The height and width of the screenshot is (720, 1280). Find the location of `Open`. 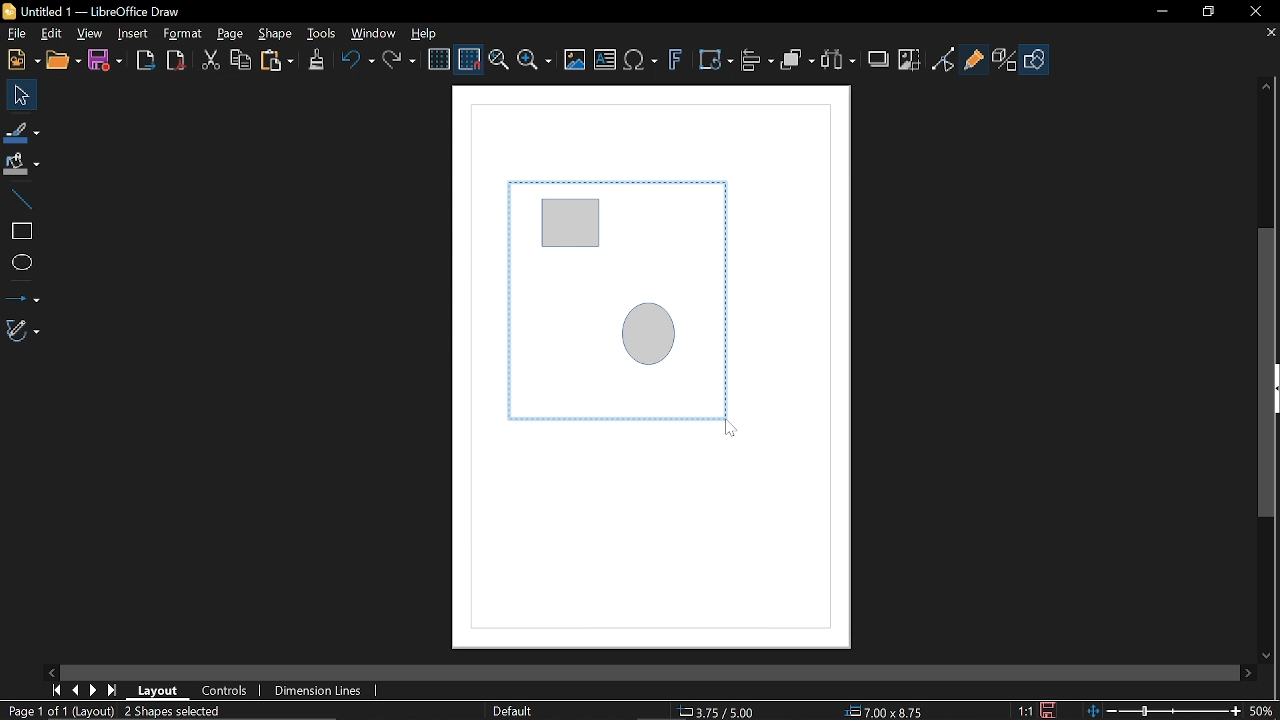

Open is located at coordinates (63, 61).